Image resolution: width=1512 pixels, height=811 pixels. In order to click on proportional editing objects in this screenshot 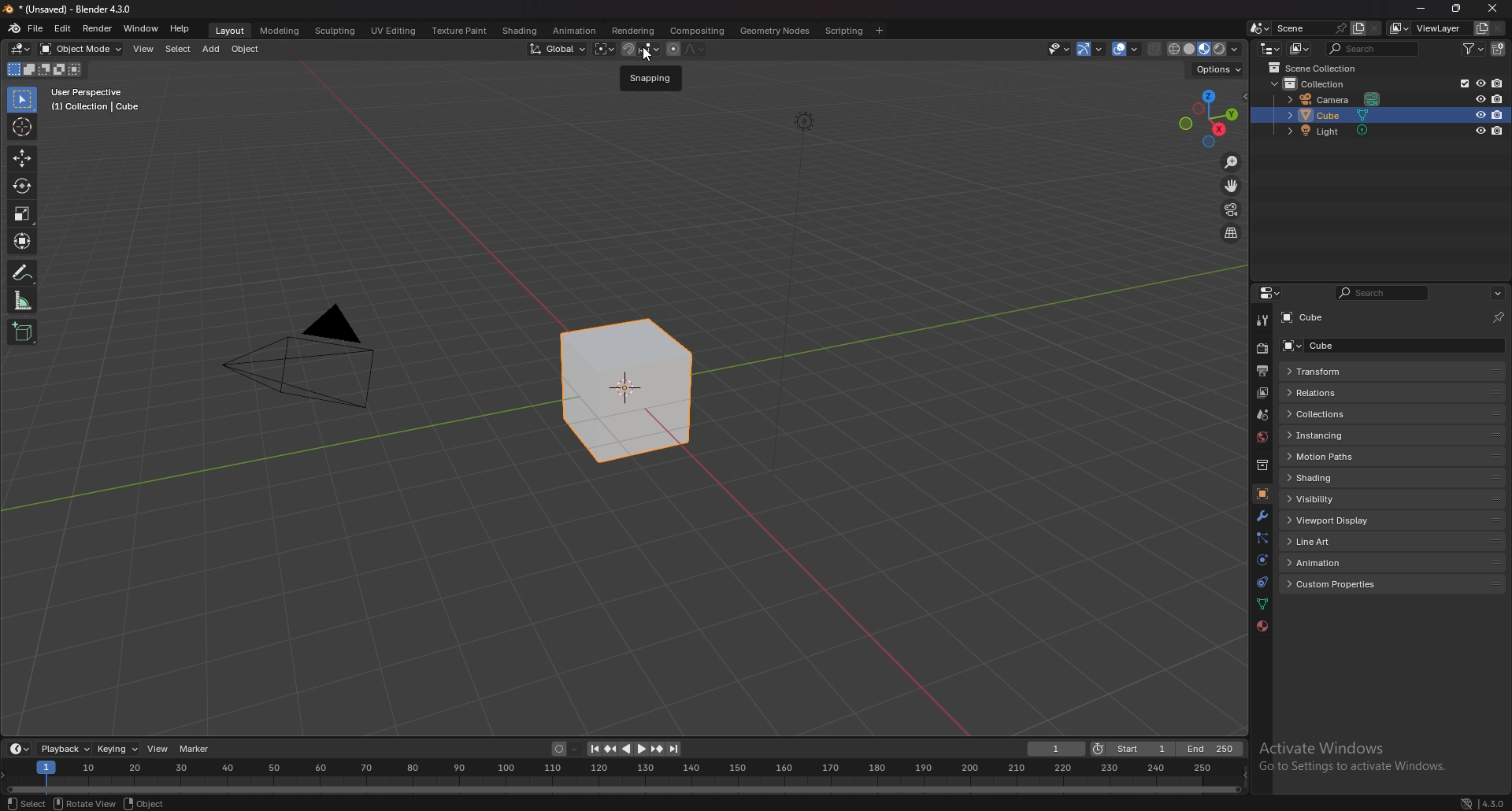, I will do `click(673, 50)`.